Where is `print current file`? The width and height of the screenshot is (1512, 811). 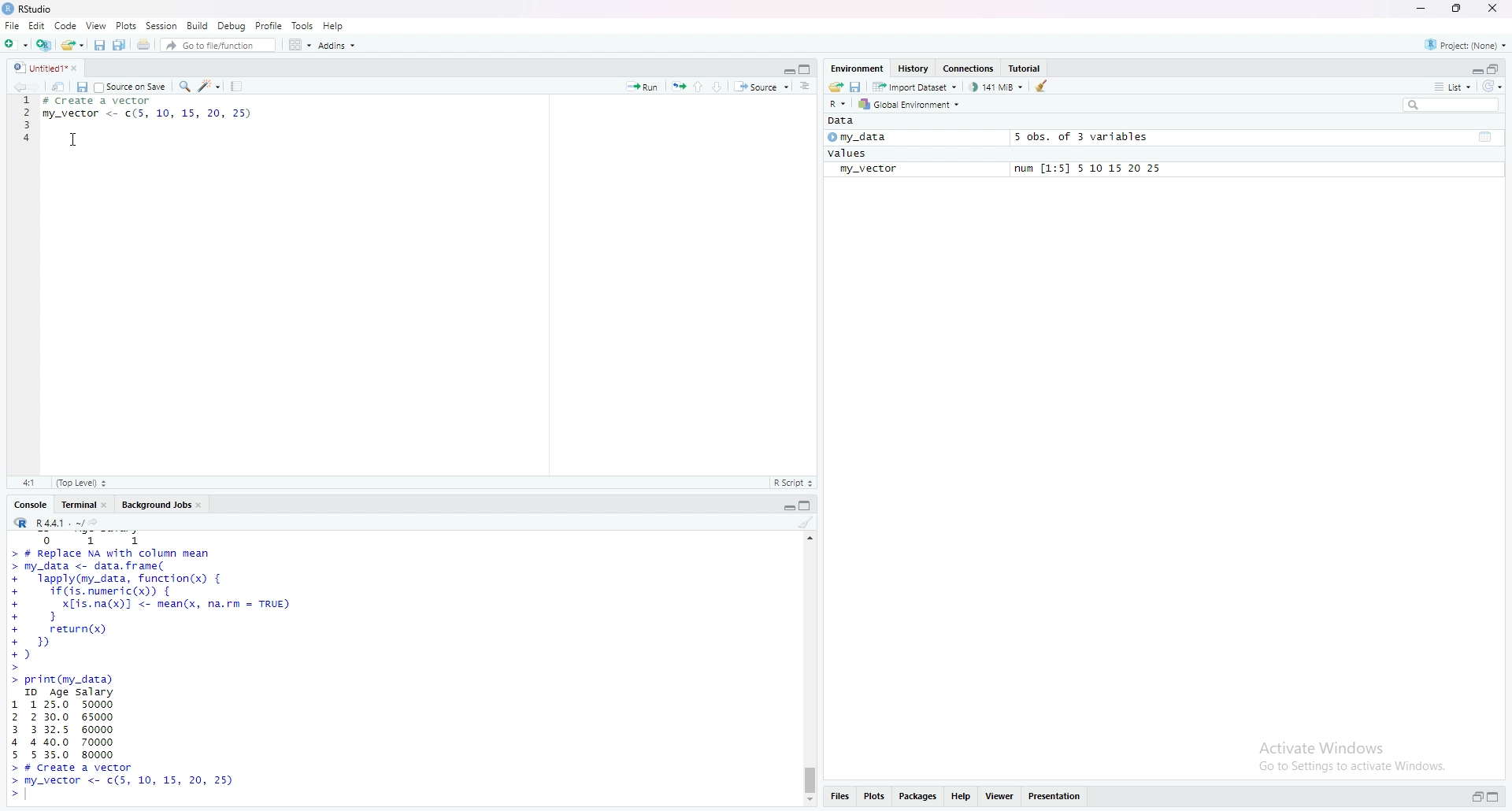
print current file is located at coordinates (144, 46).